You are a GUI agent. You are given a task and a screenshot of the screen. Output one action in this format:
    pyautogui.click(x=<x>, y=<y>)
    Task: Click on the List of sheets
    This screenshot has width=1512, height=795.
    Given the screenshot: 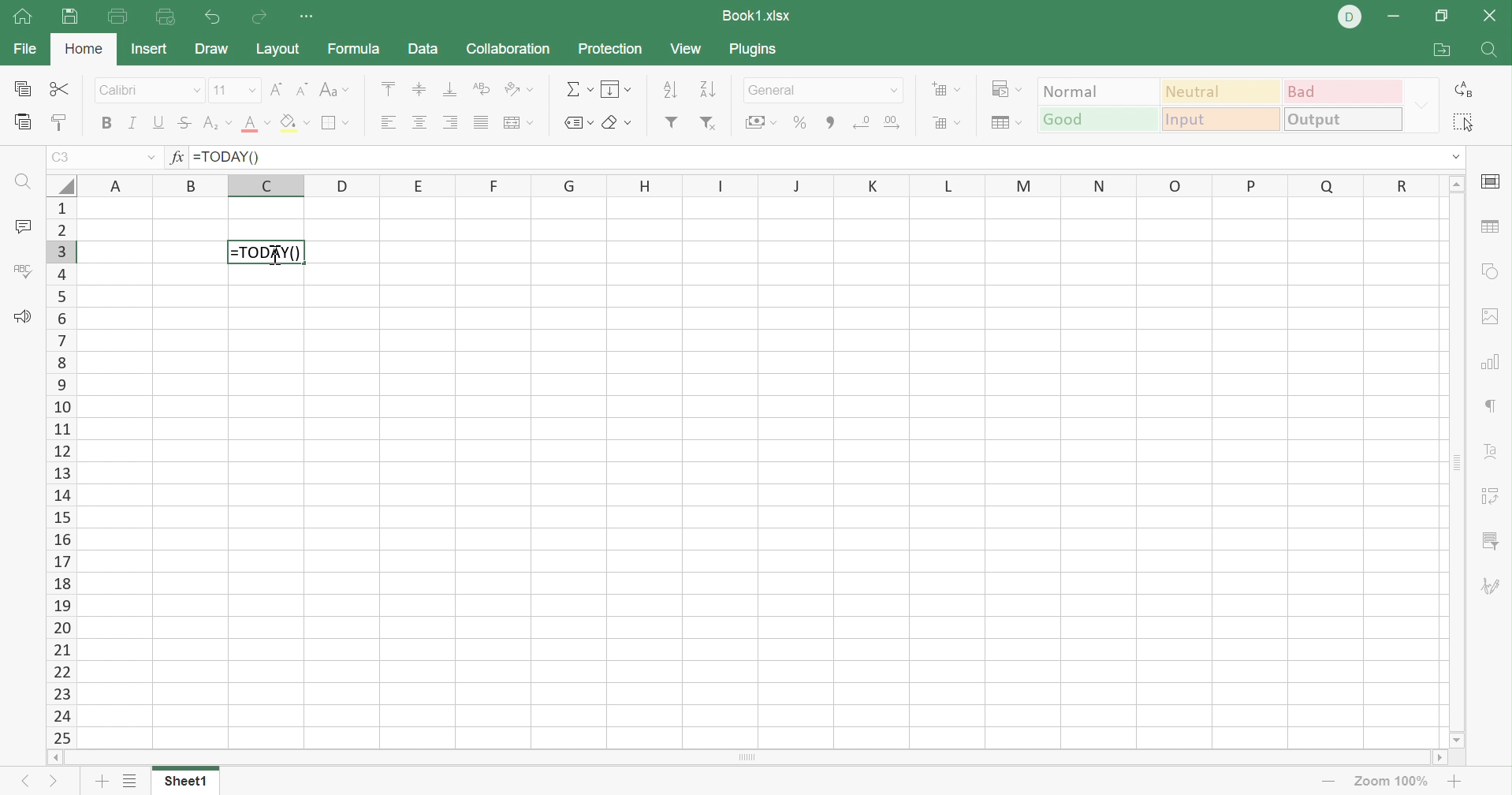 What is the action you would take?
    pyautogui.click(x=131, y=781)
    